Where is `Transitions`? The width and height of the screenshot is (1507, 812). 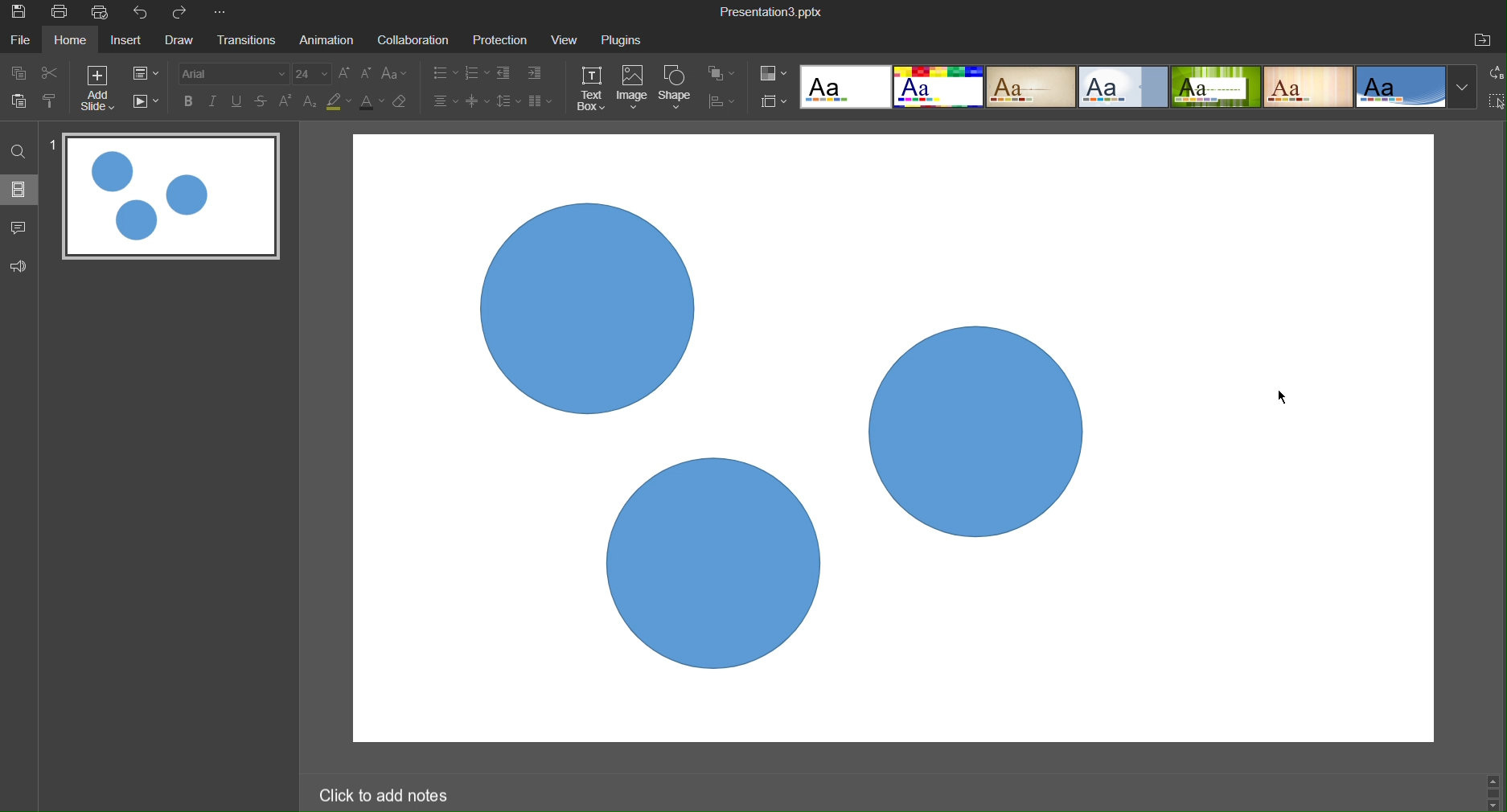 Transitions is located at coordinates (248, 42).